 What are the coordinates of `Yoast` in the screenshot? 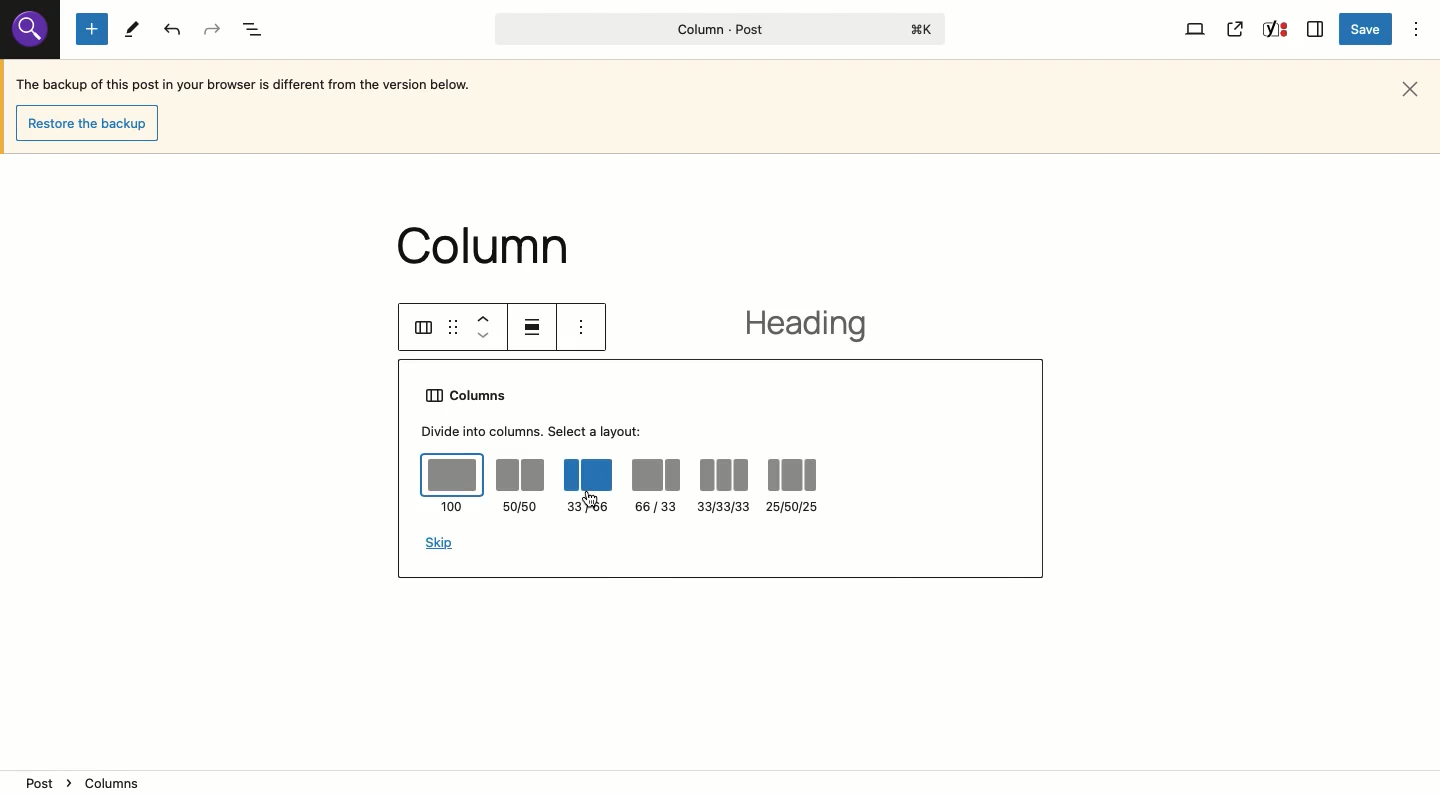 It's located at (1273, 31).